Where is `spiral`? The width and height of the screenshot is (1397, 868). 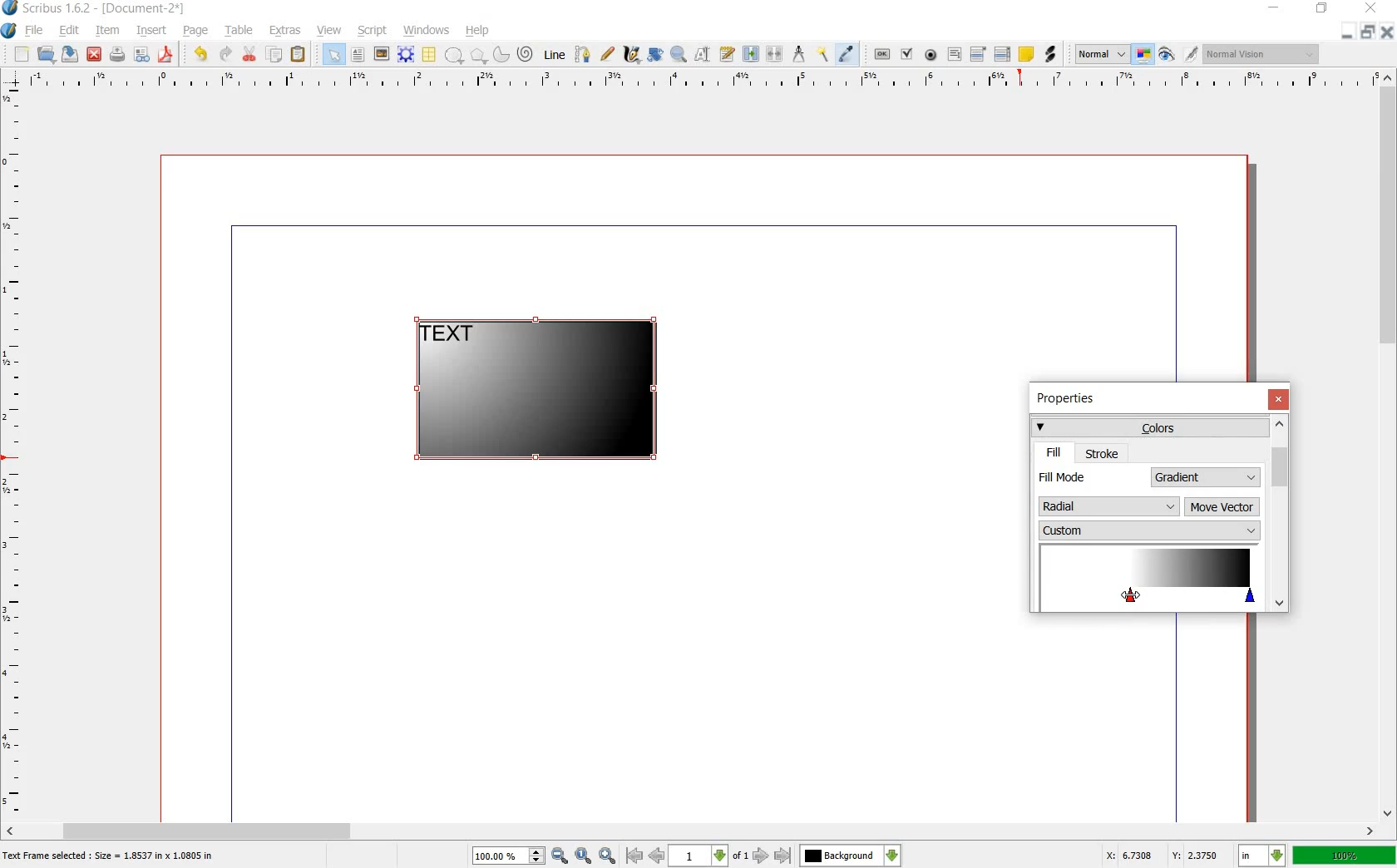
spiral is located at coordinates (526, 53).